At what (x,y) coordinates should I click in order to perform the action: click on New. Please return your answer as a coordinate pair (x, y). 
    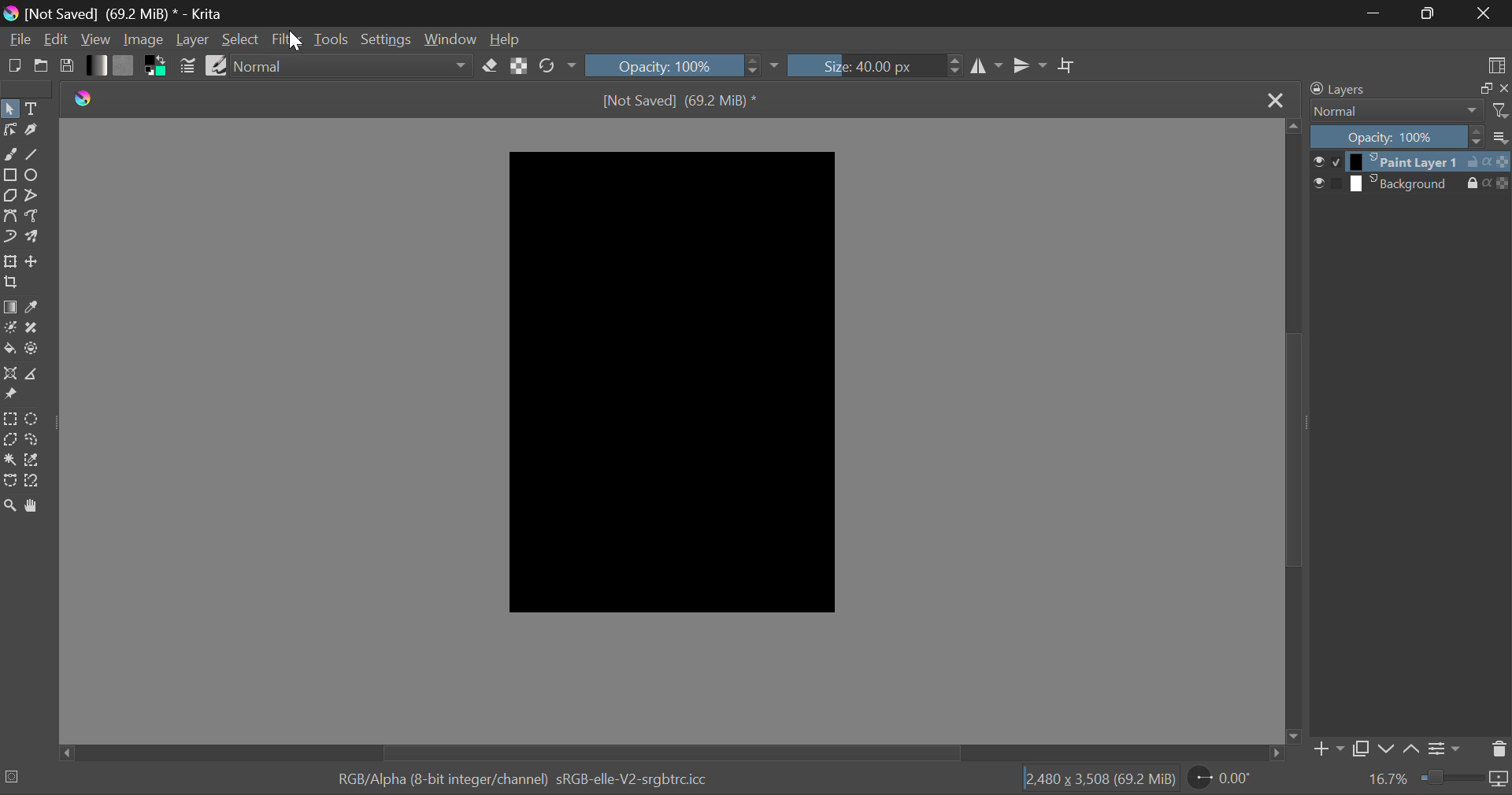
    Looking at the image, I should click on (13, 66).